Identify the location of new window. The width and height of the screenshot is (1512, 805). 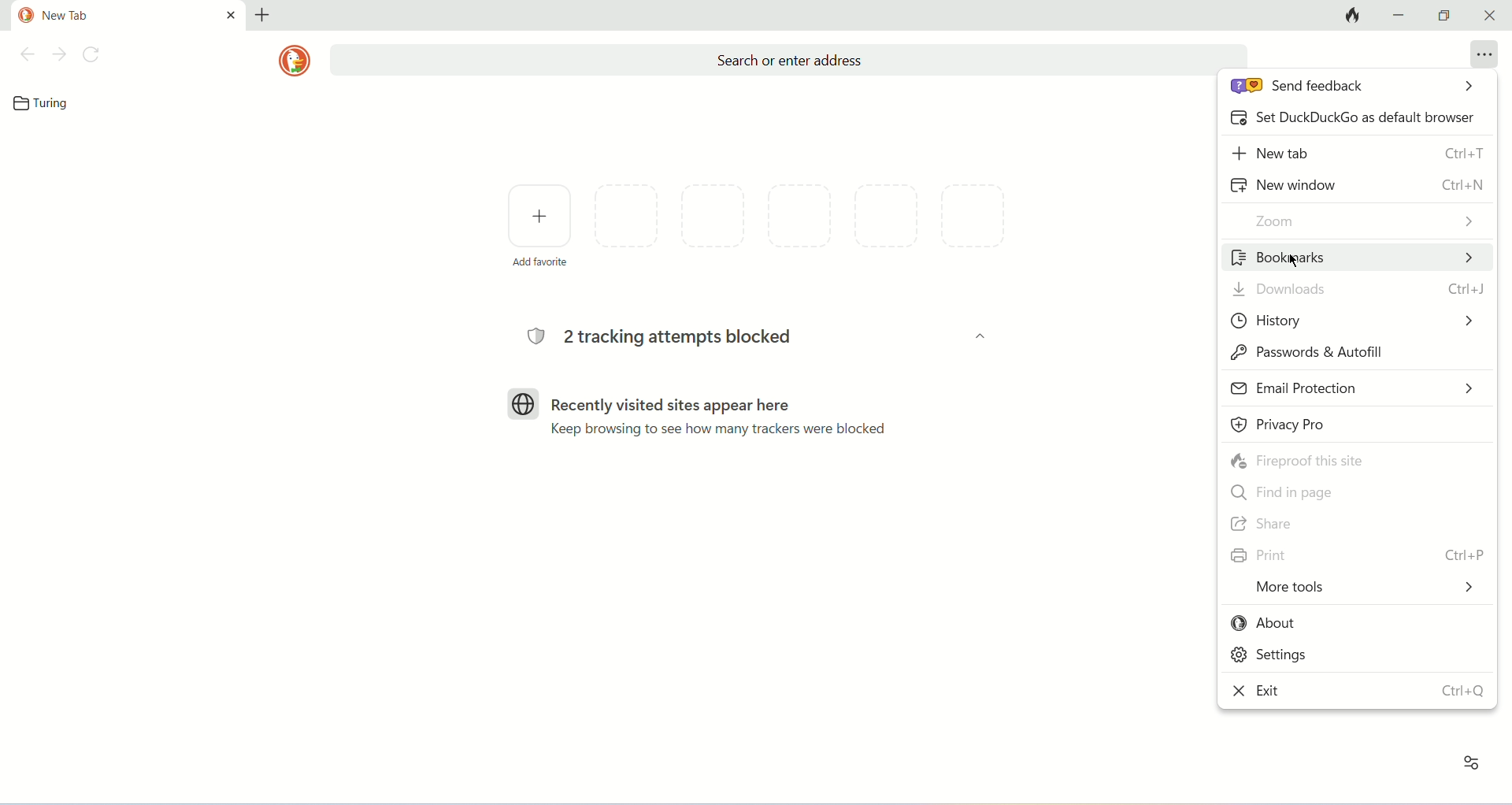
(1357, 187).